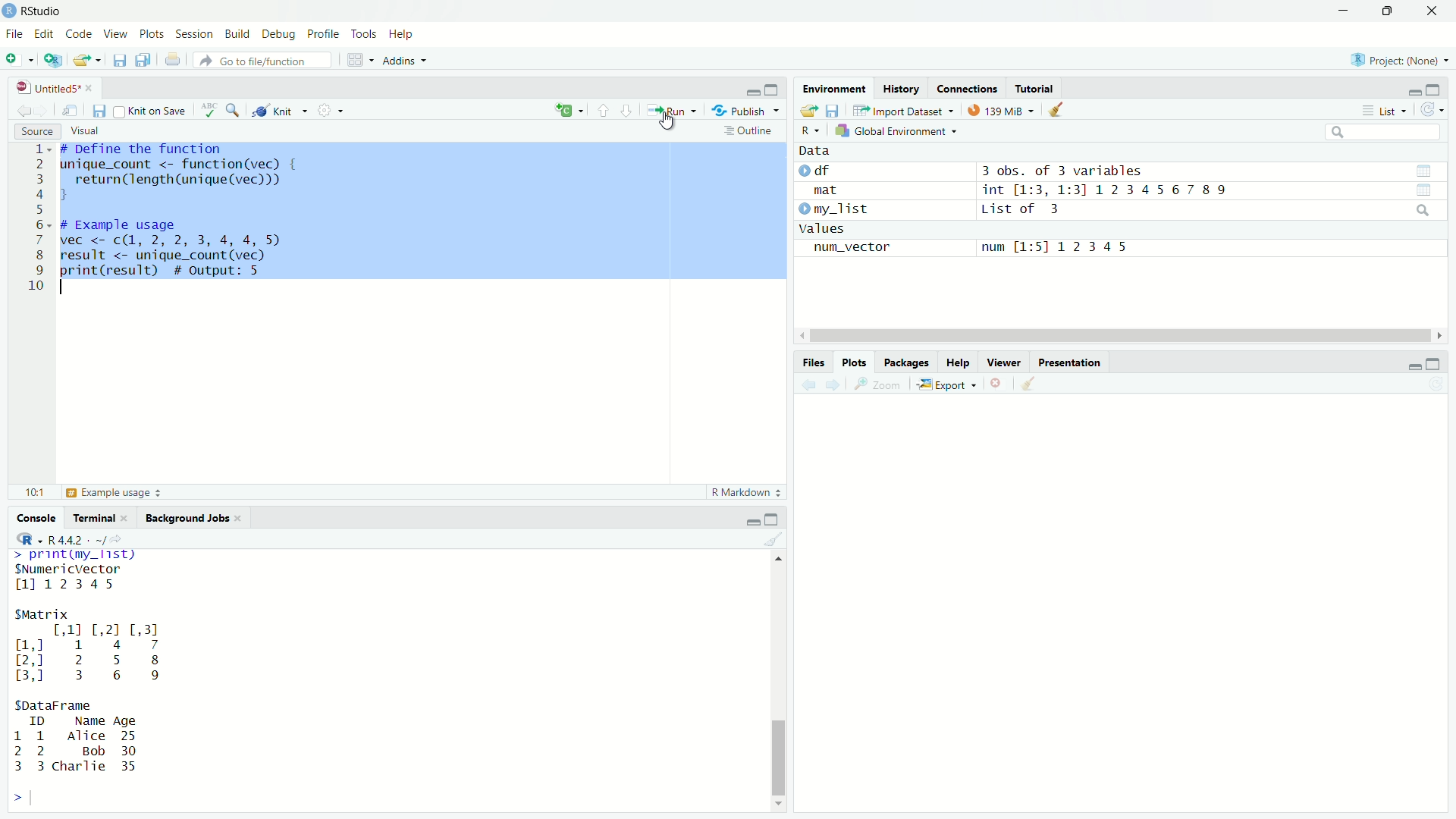  Describe the element at coordinates (672, 111) in the screenshot. I see `Run` at that location.